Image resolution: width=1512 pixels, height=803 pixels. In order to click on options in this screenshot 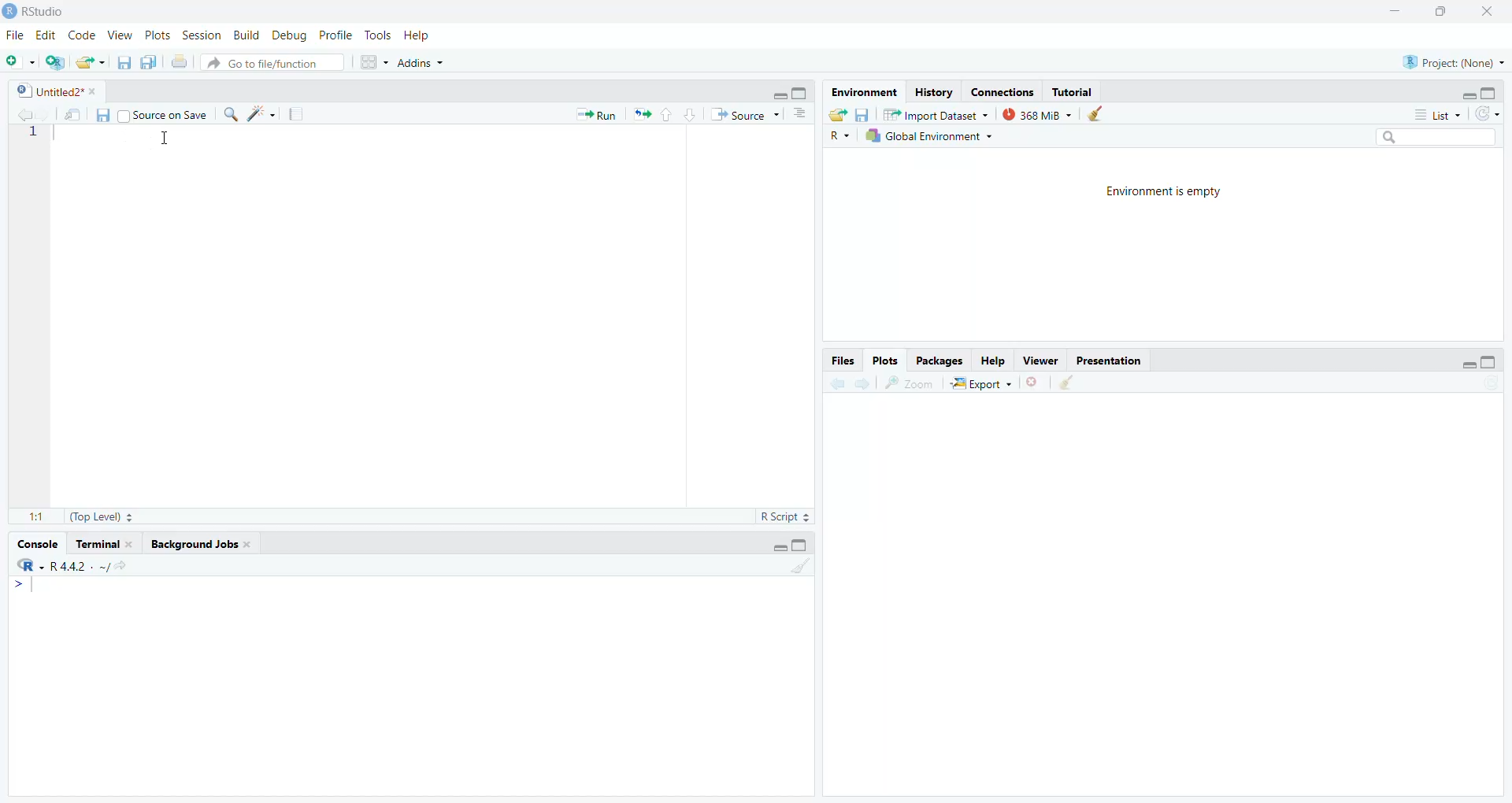, I will do `click(799, 115)`.